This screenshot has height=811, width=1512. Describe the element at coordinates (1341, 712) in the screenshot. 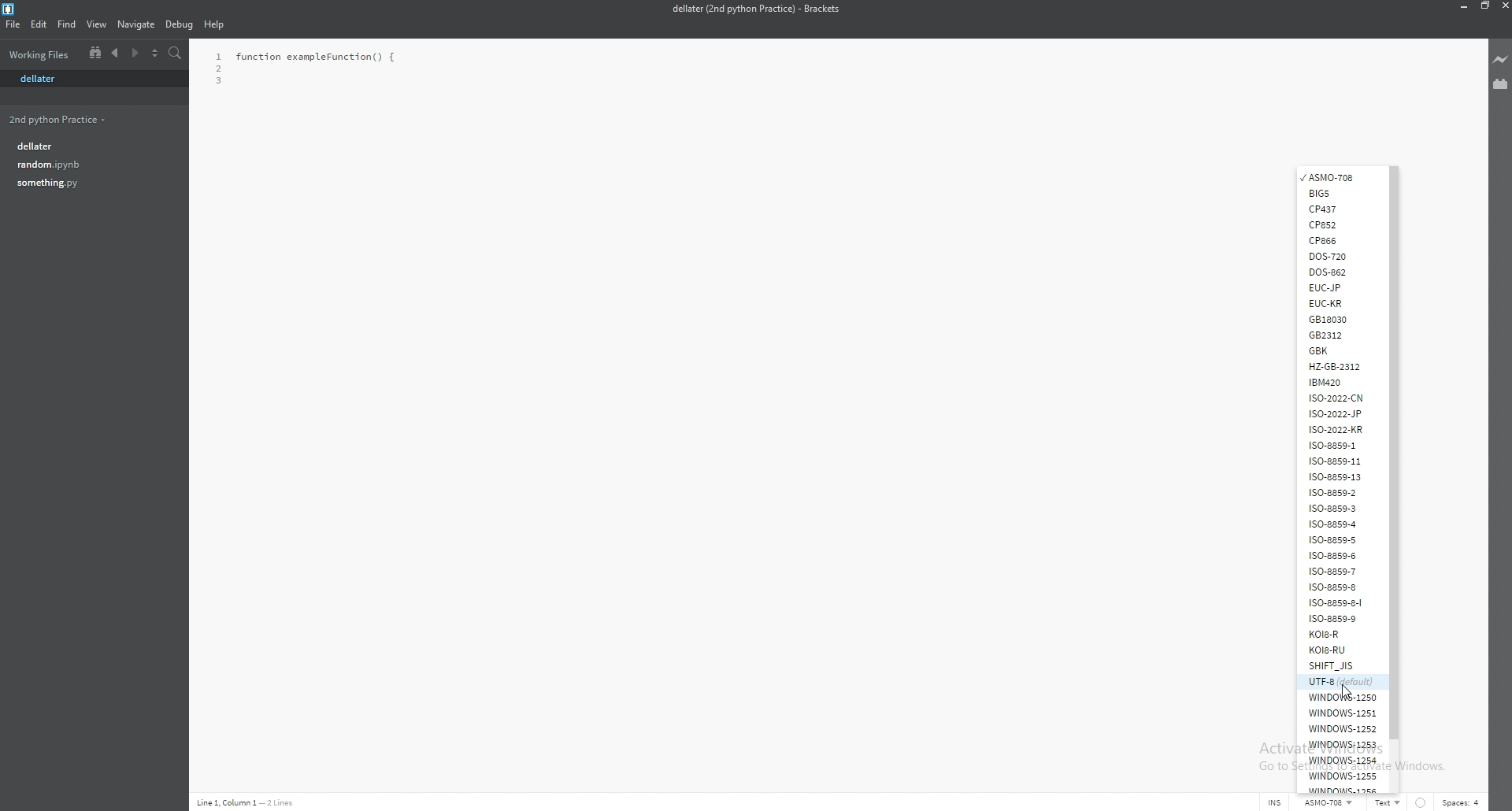

I see `windows-1251` at that location.